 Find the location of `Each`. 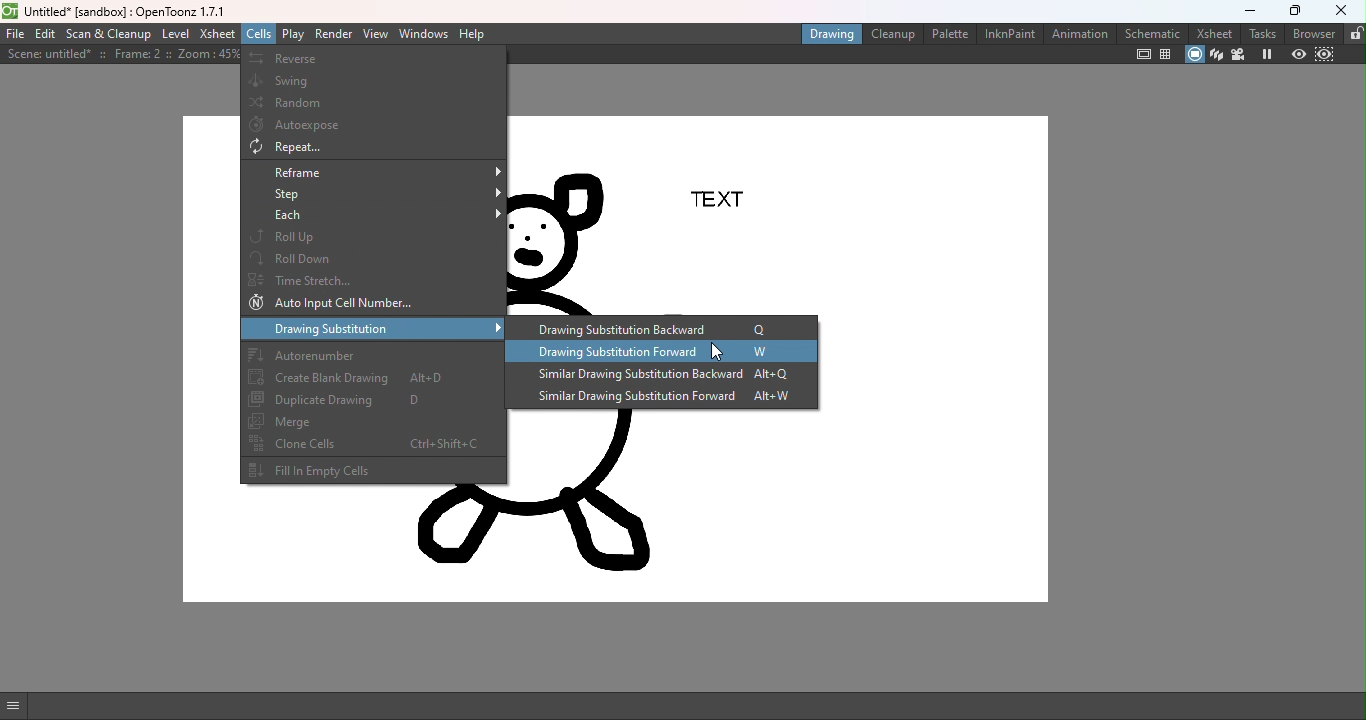

Each is located at coordinates (378, 216).